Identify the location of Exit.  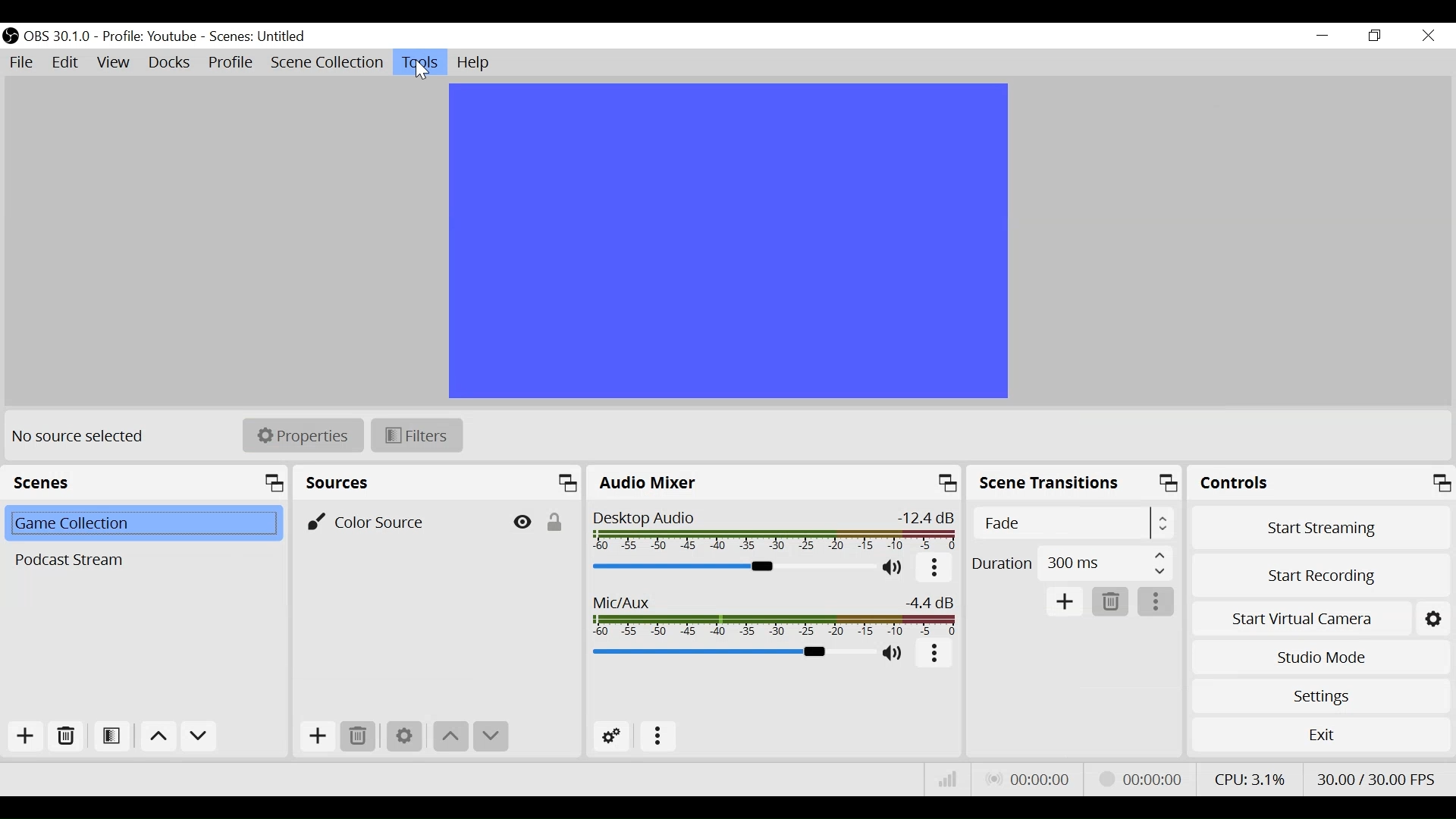
(1320, 735).